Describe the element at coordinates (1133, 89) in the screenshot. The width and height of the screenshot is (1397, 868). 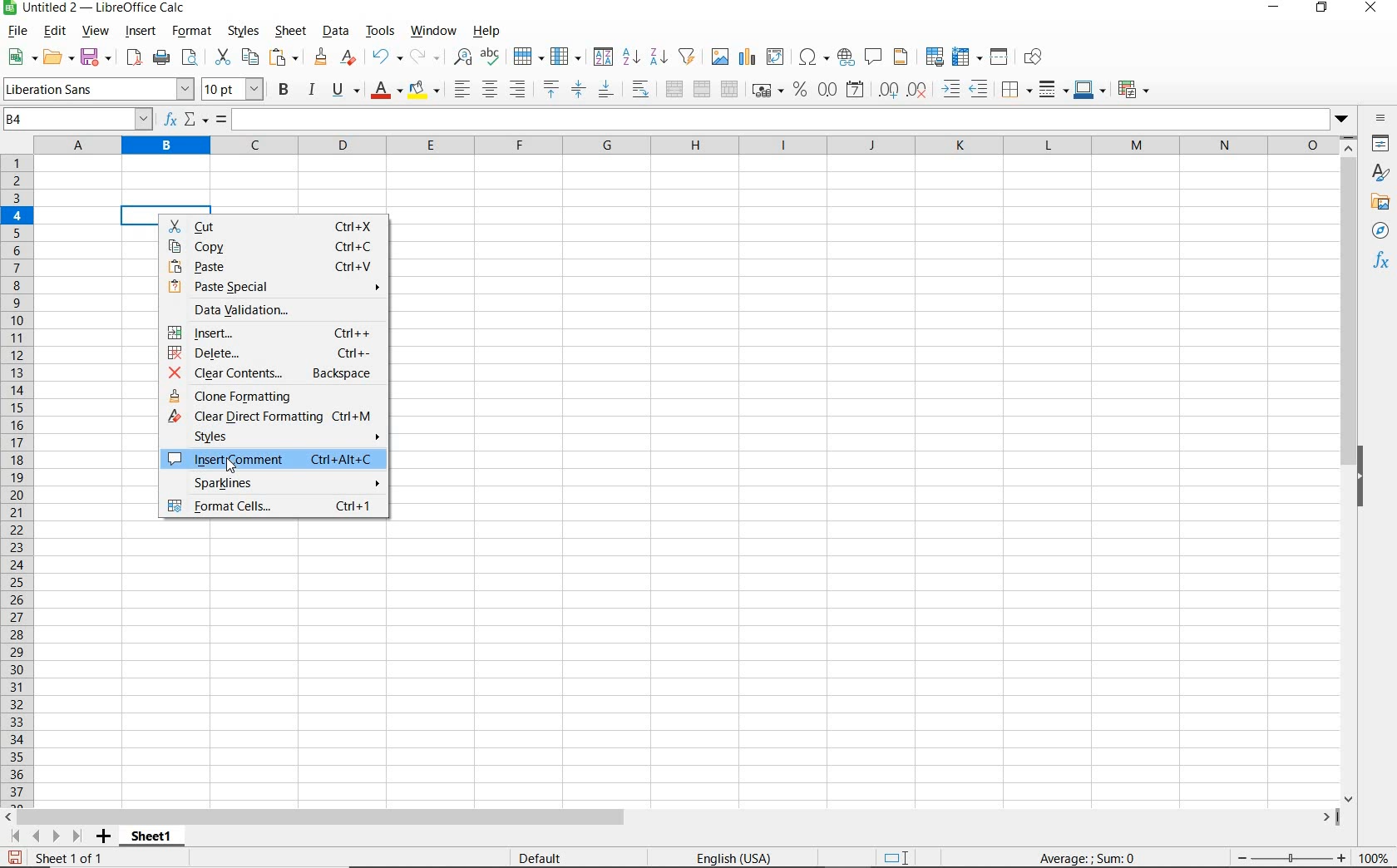
I see `conditional` at that location.